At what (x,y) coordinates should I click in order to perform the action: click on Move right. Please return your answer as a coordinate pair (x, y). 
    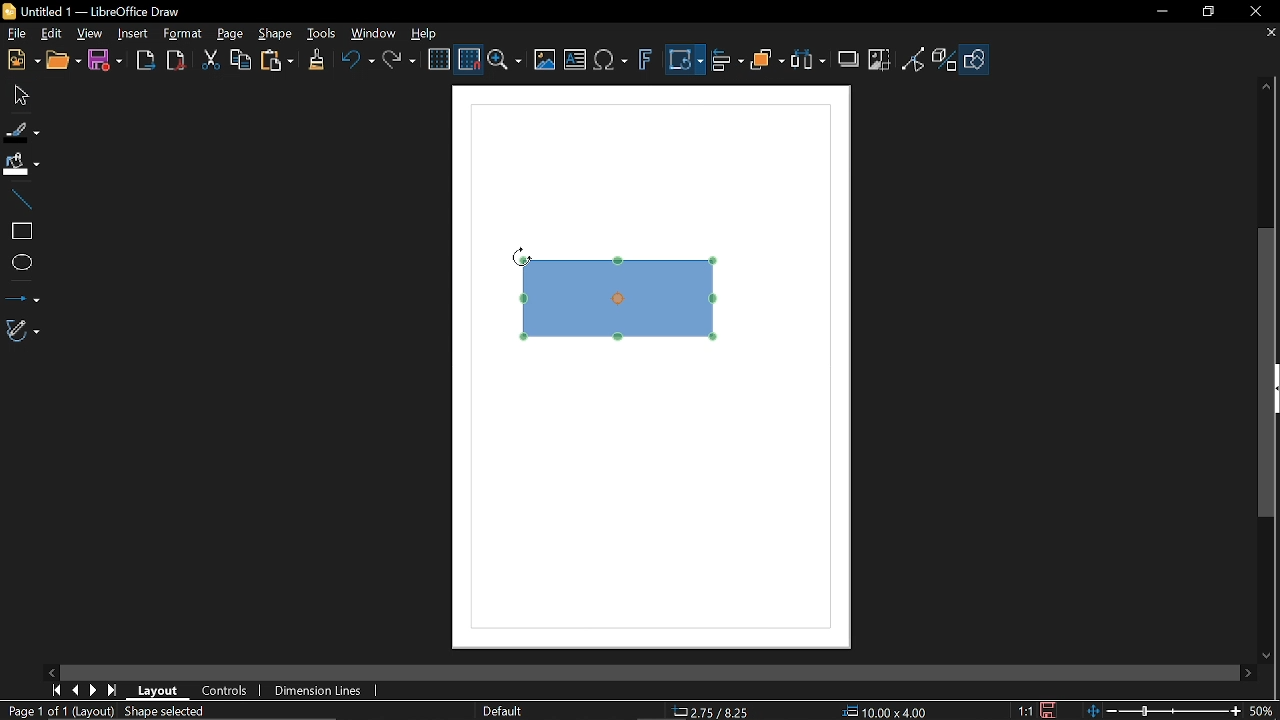
    Looking at the image, I should click on (1250, 674).